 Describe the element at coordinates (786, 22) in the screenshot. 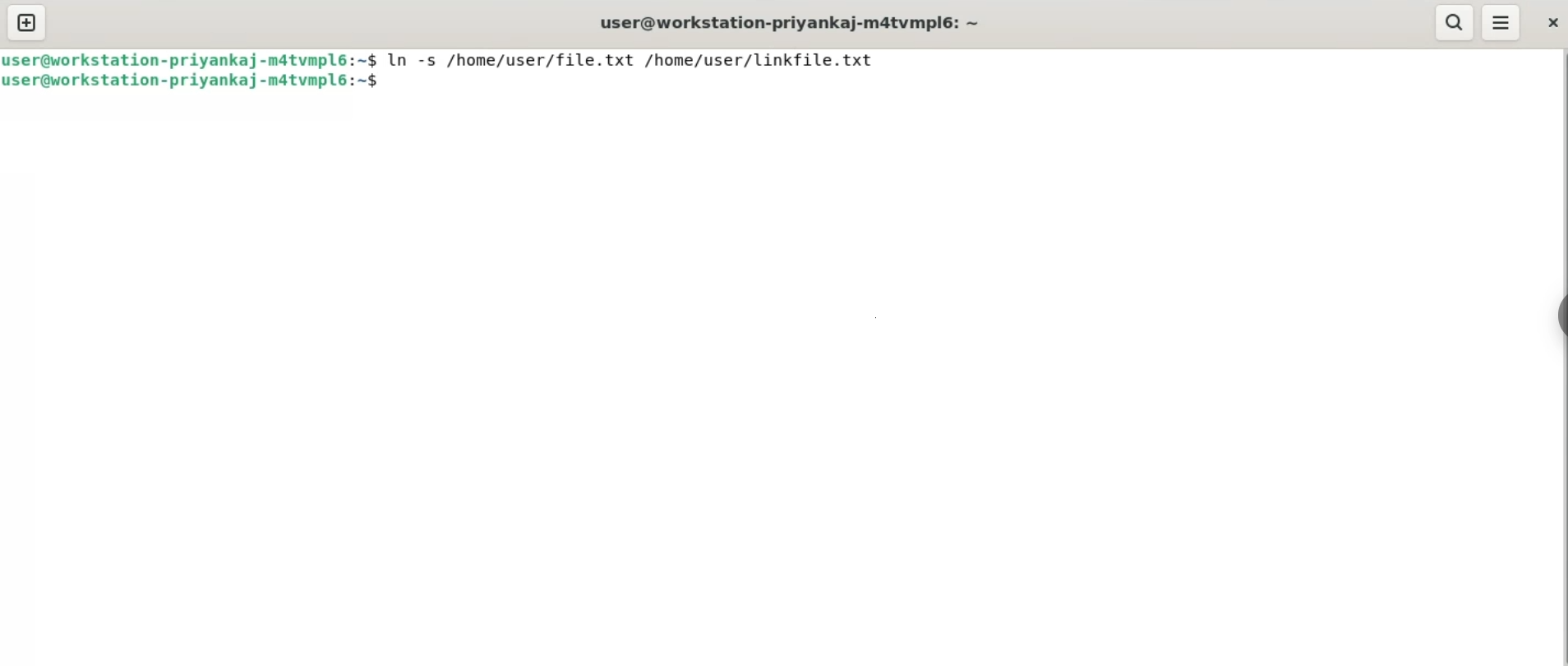

I see ` user@workstation-priyanka-m4tvmpl6:~` at that location.